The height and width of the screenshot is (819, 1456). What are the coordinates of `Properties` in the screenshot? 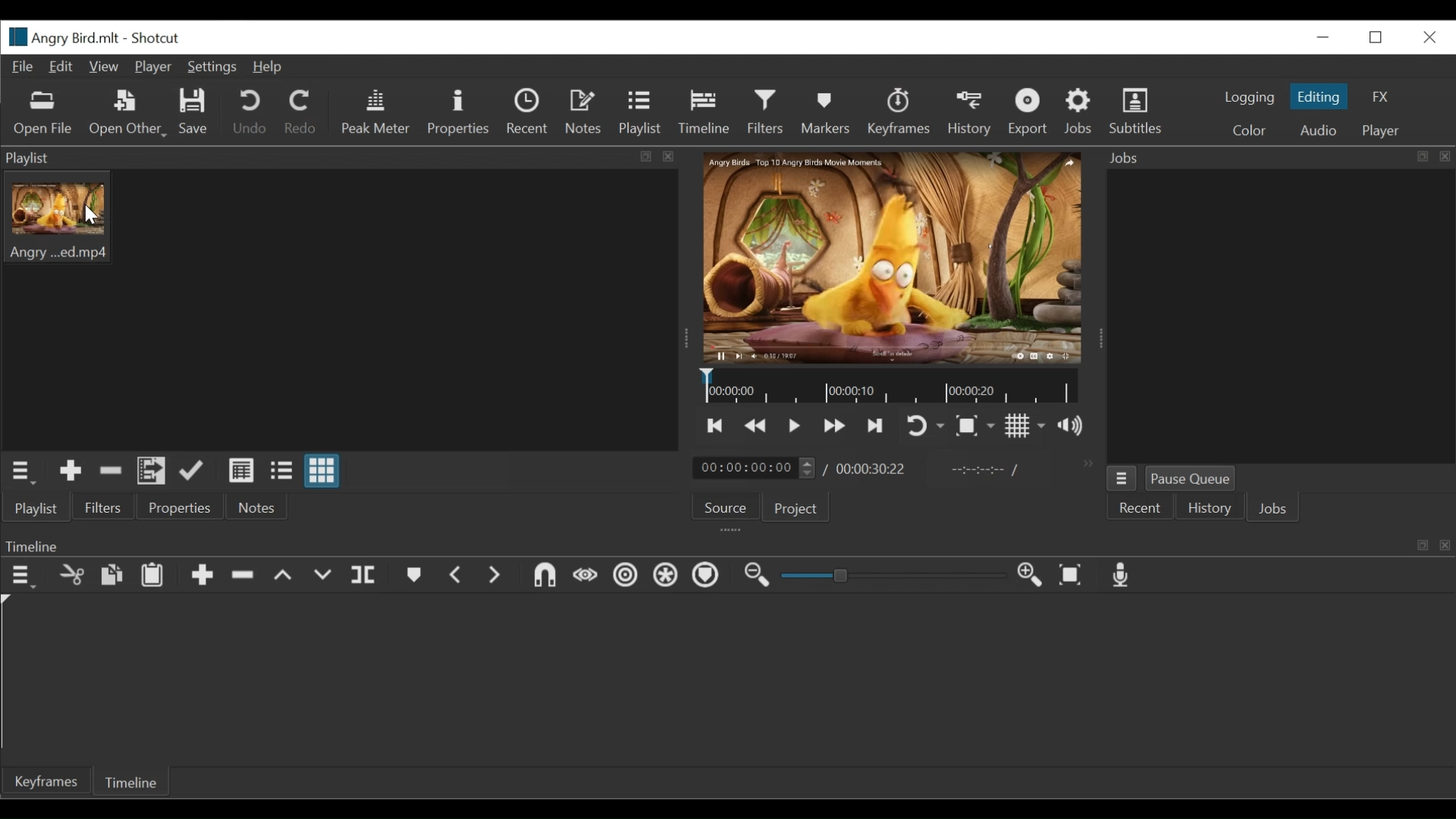 It's located at (458, 111).